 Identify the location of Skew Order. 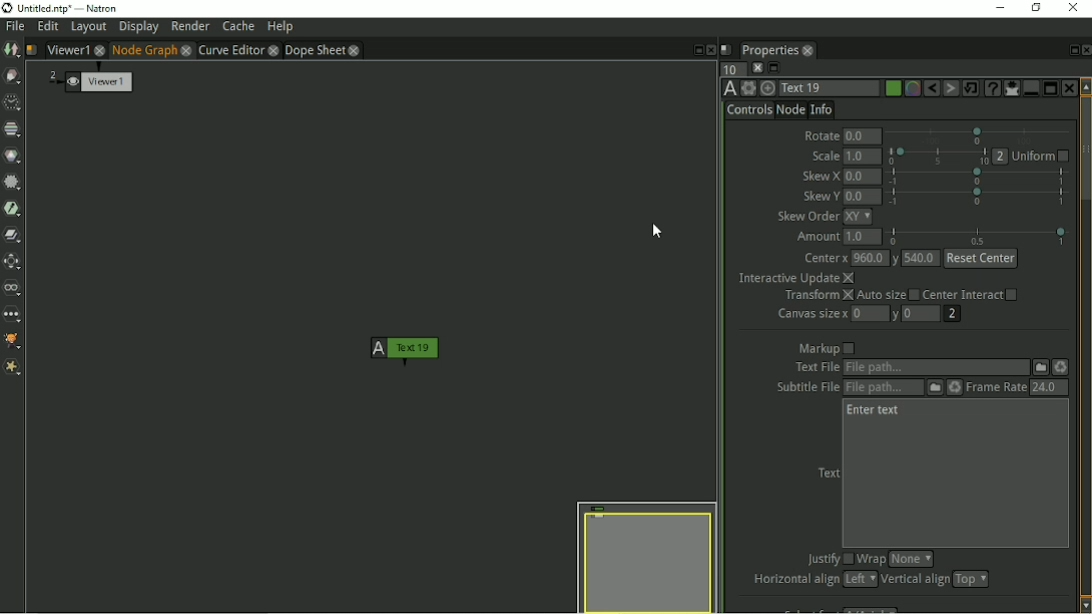
(805, 216).